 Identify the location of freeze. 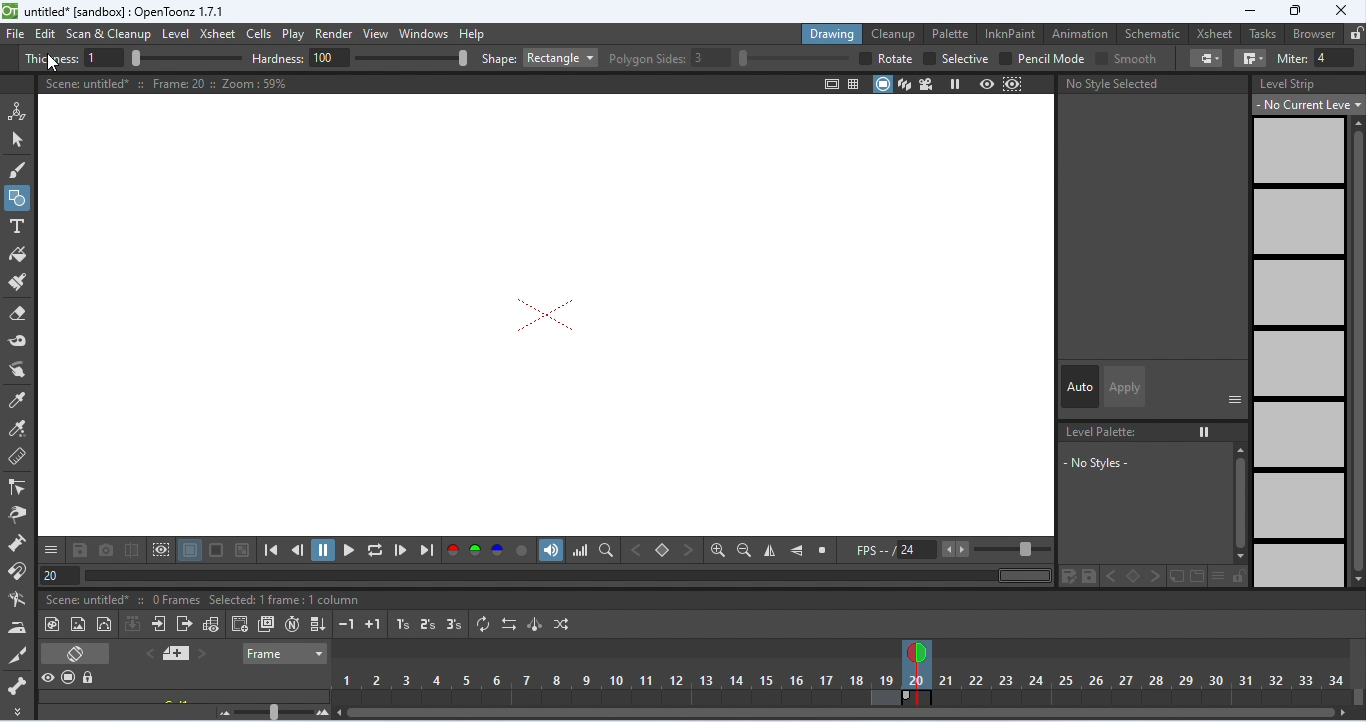
(954, 84).